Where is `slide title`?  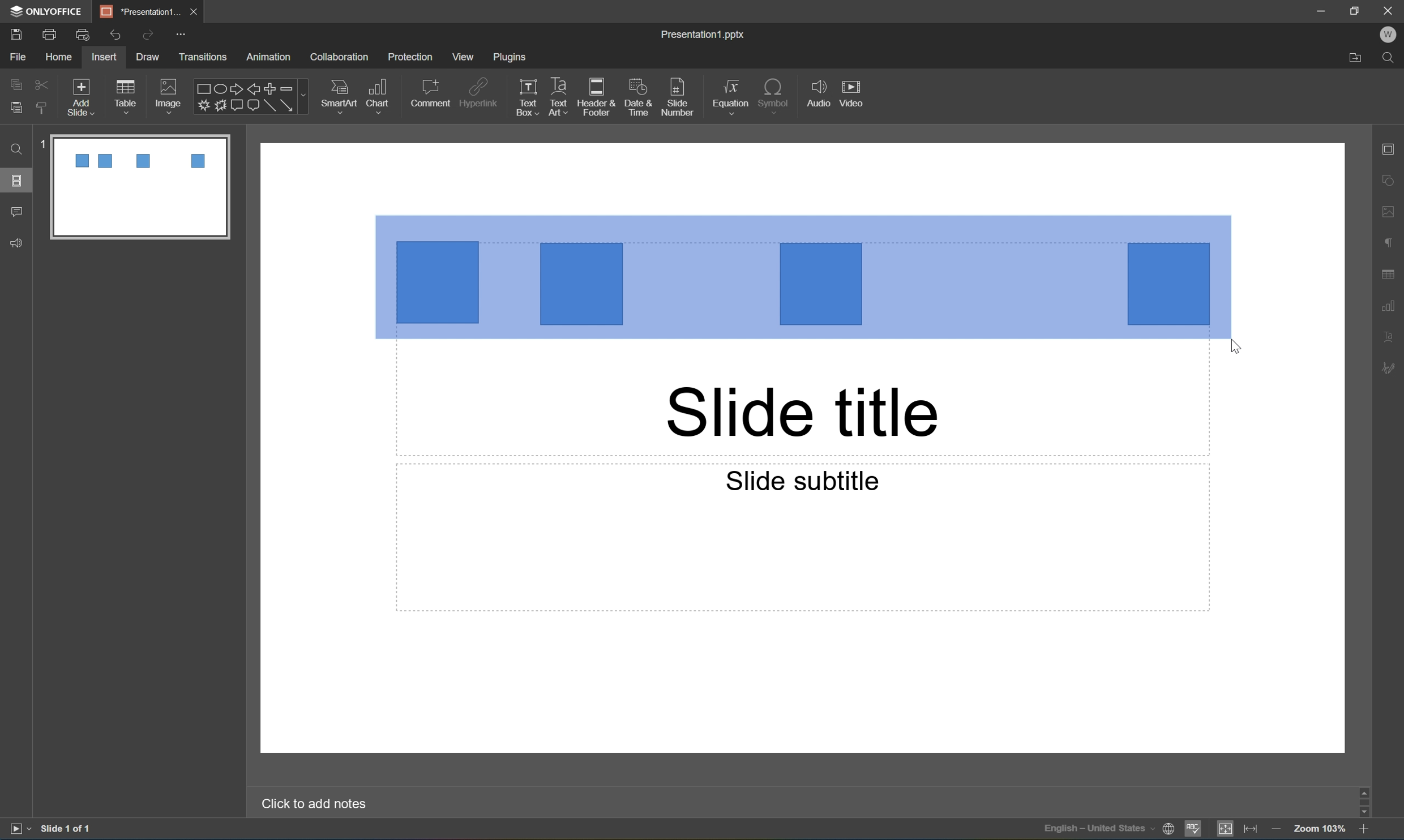 slide title is located at coordinates (803, 413).